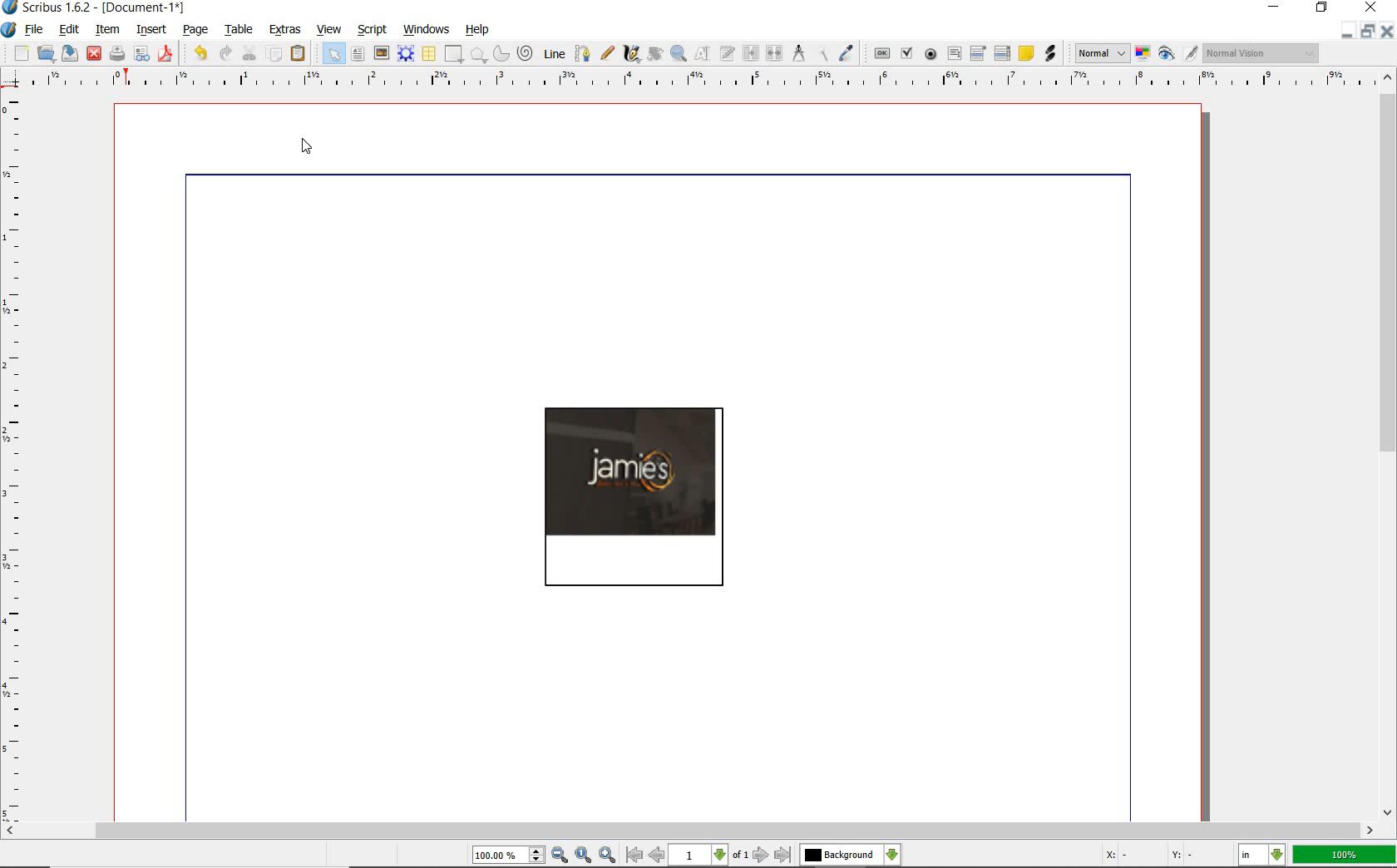 The height and width of the screenshot is (868, 1397). What do you see at coordinates (822, 52) in the screenshot?
I see `copy item properties` at bounding box center [822, 52].